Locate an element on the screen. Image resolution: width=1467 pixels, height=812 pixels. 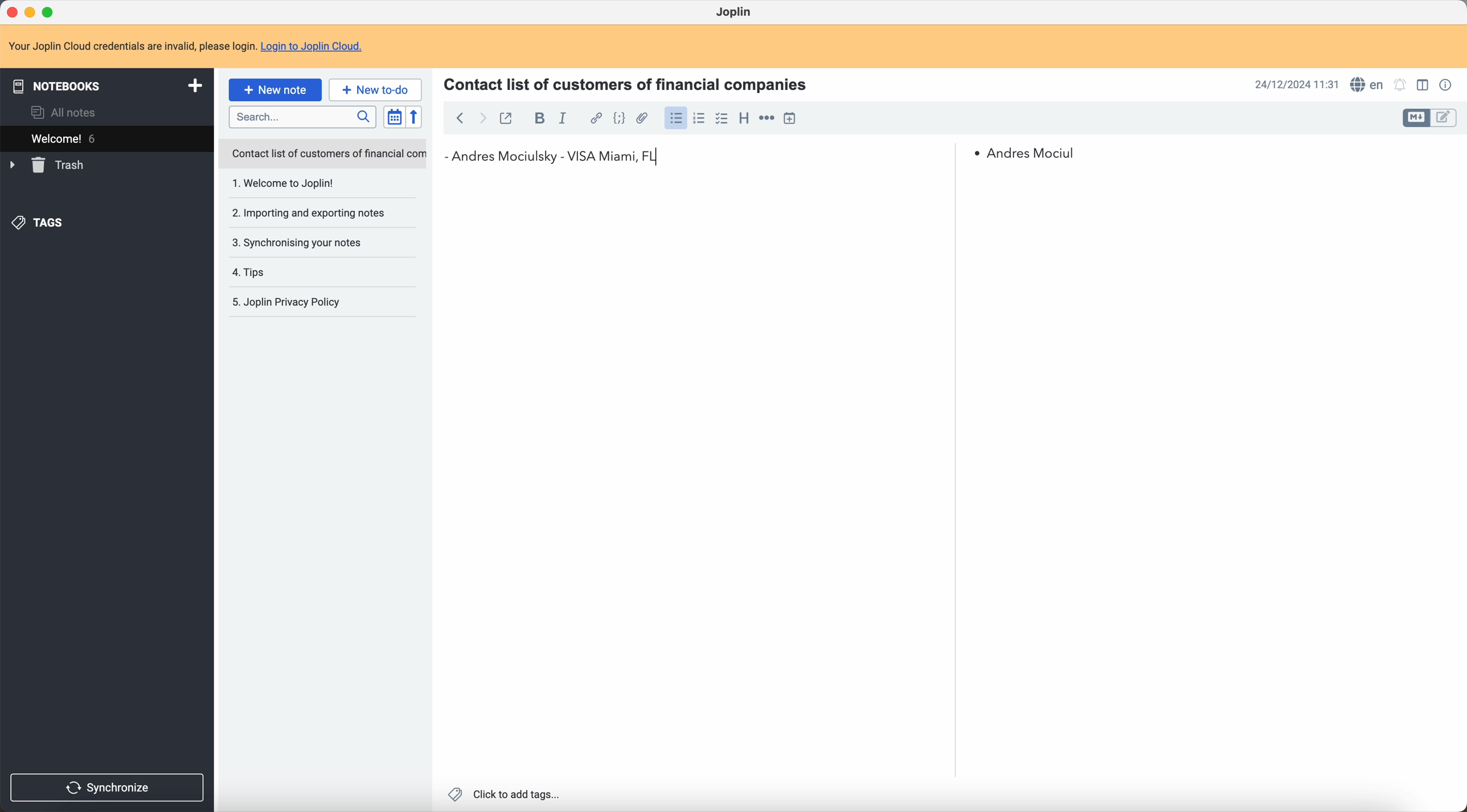
notebooks is located at coordinates (105, 85).